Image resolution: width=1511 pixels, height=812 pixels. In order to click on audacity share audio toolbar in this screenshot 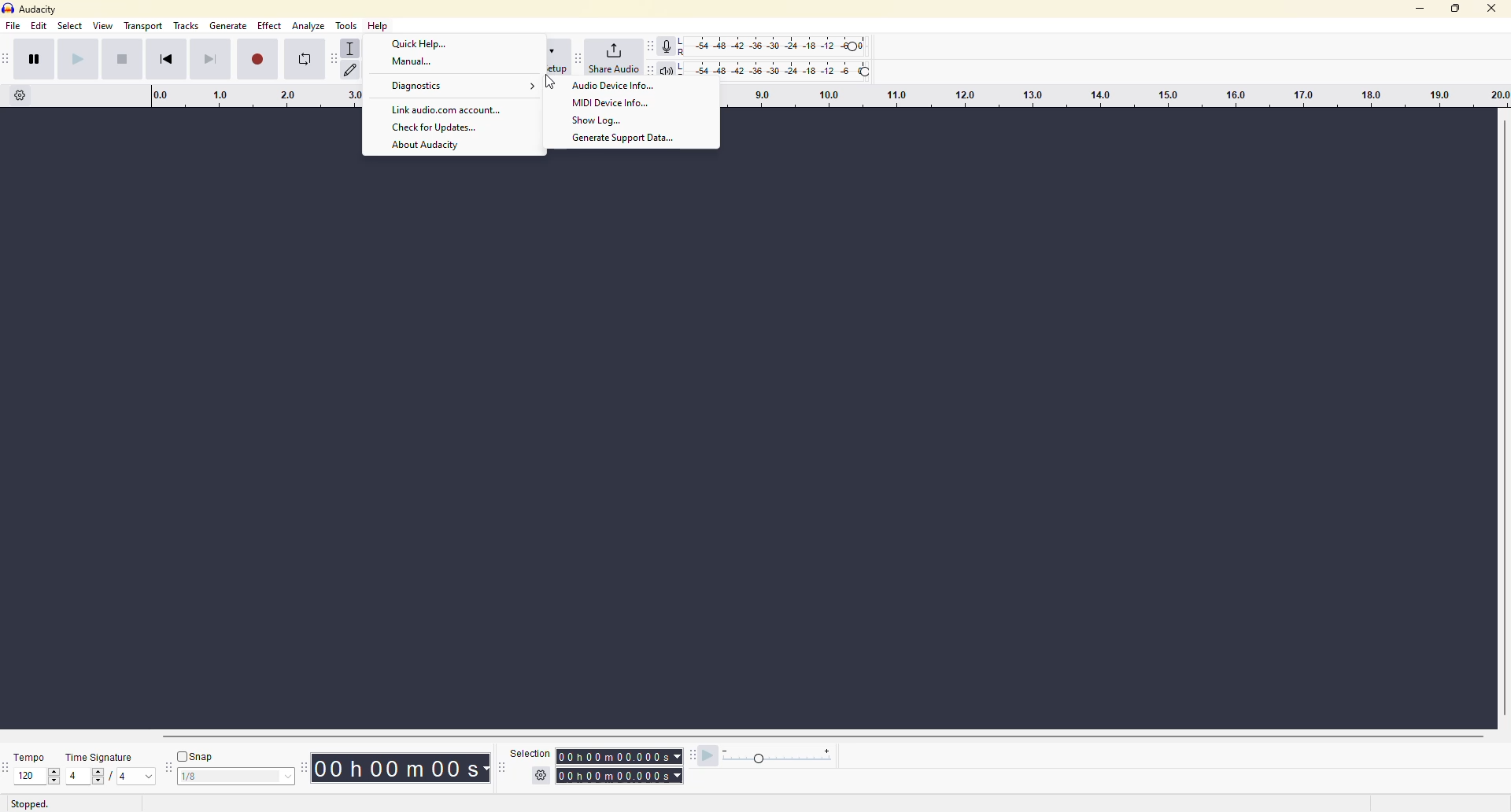, I will do `click(578, 55)`.